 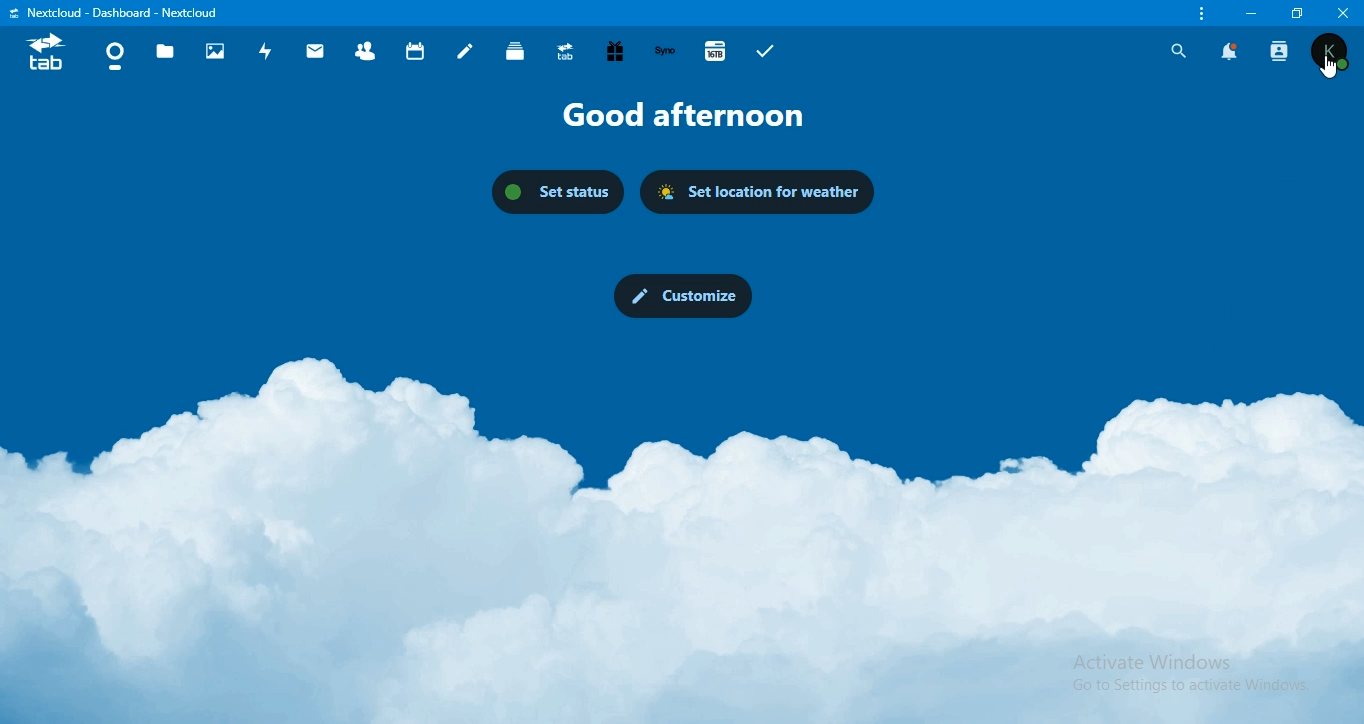 What do you see at coordinates (1176, 50) in the screenshot?
I see `search` at bounding box center [1176, 50].